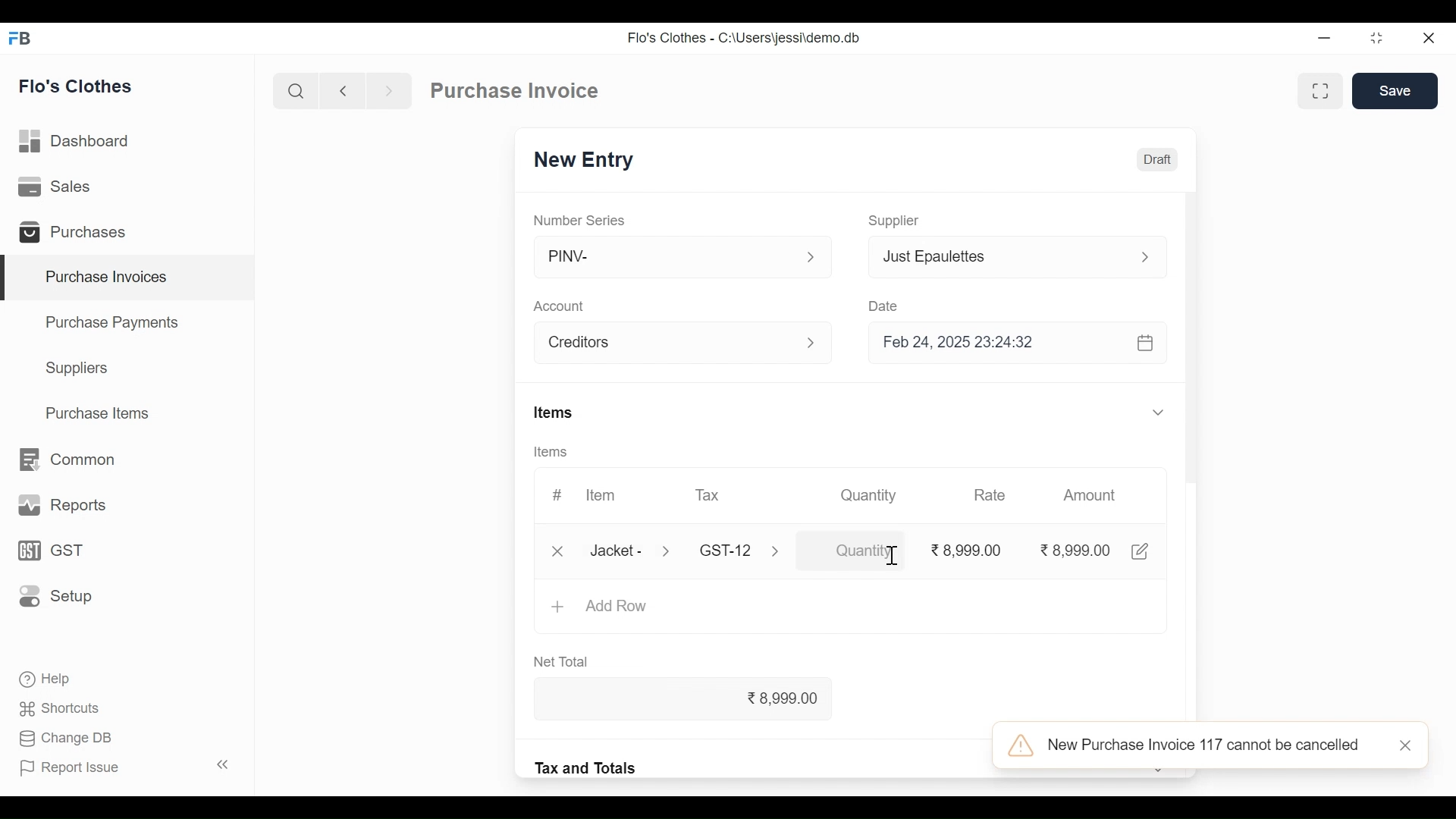 This screenshot has height=819, width=1456. What do you see at coordinates (1317, 93) in the screenshot?
I see `Toggle between form and full width` at bounding box center [1317, 93].